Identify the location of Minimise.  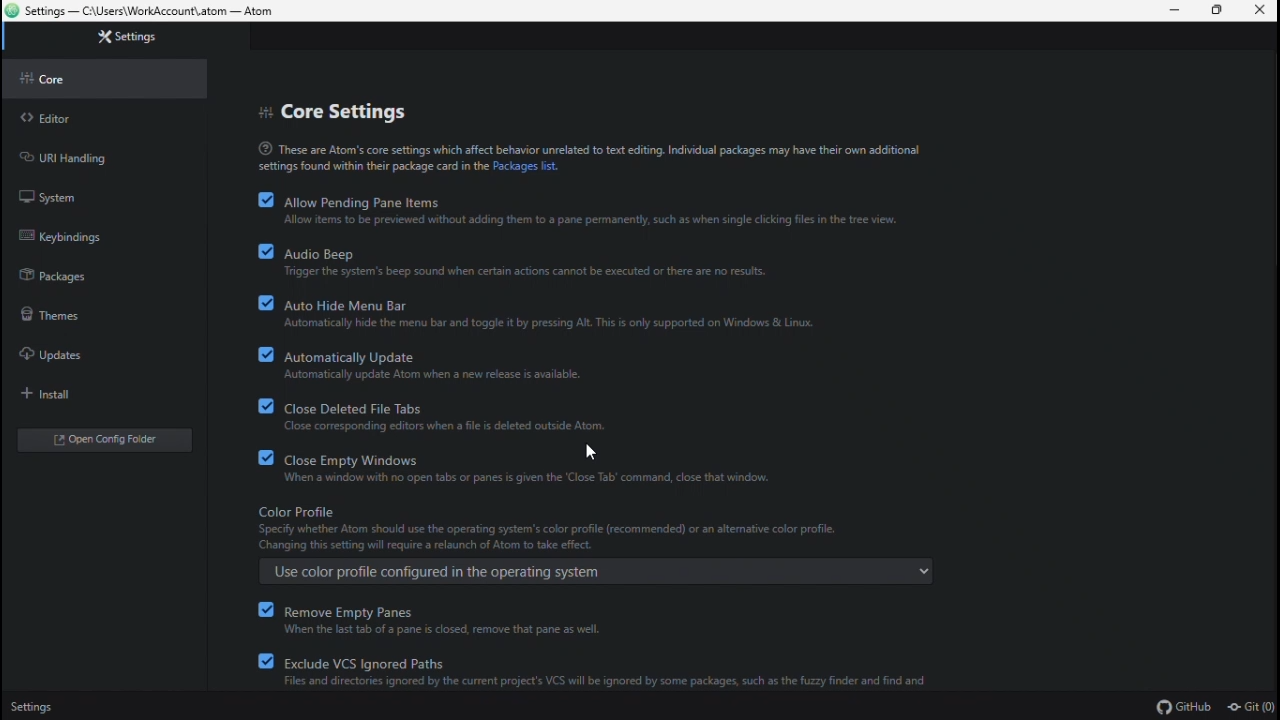
(1170, 11).